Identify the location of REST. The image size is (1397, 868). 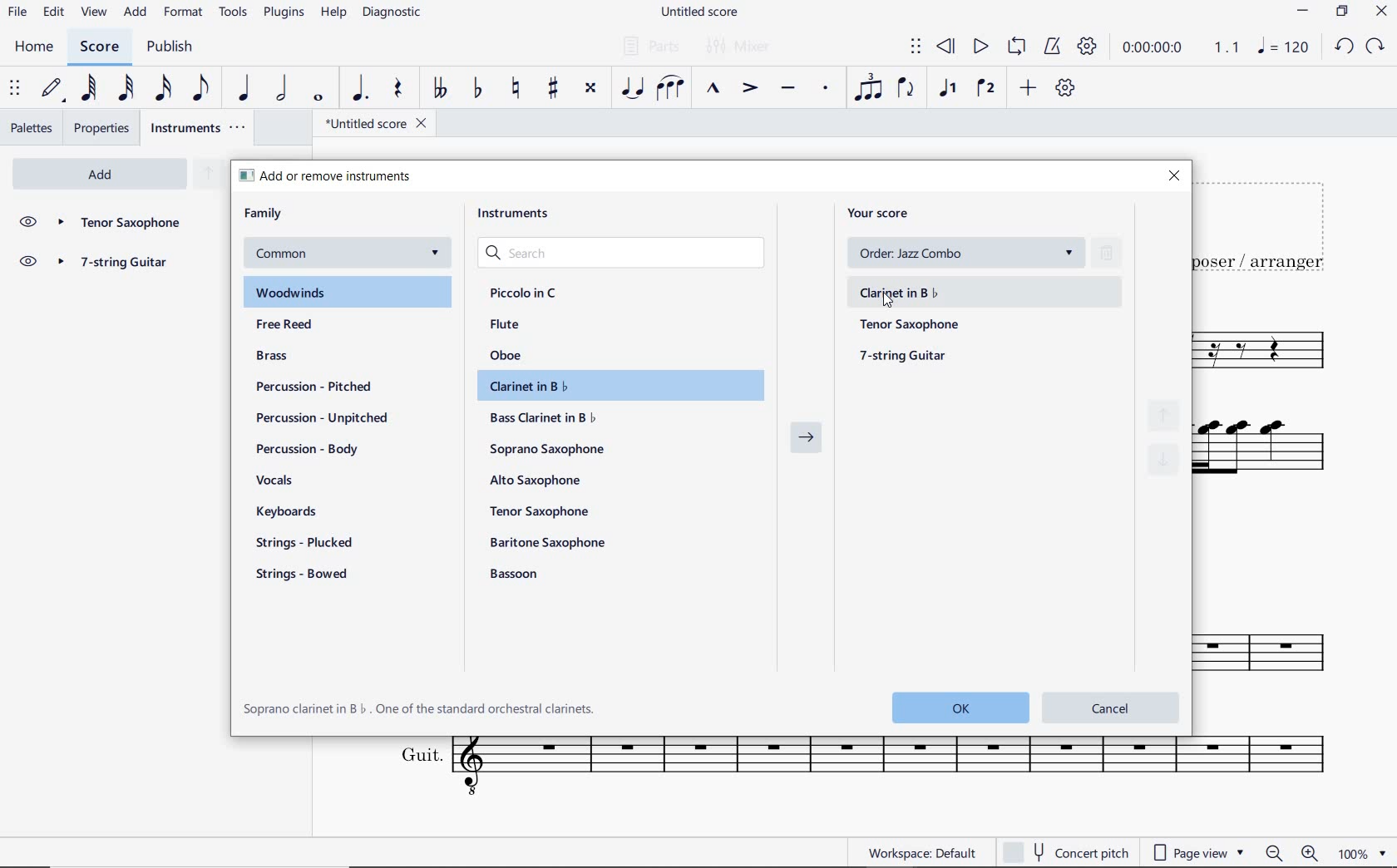
(397, 90).